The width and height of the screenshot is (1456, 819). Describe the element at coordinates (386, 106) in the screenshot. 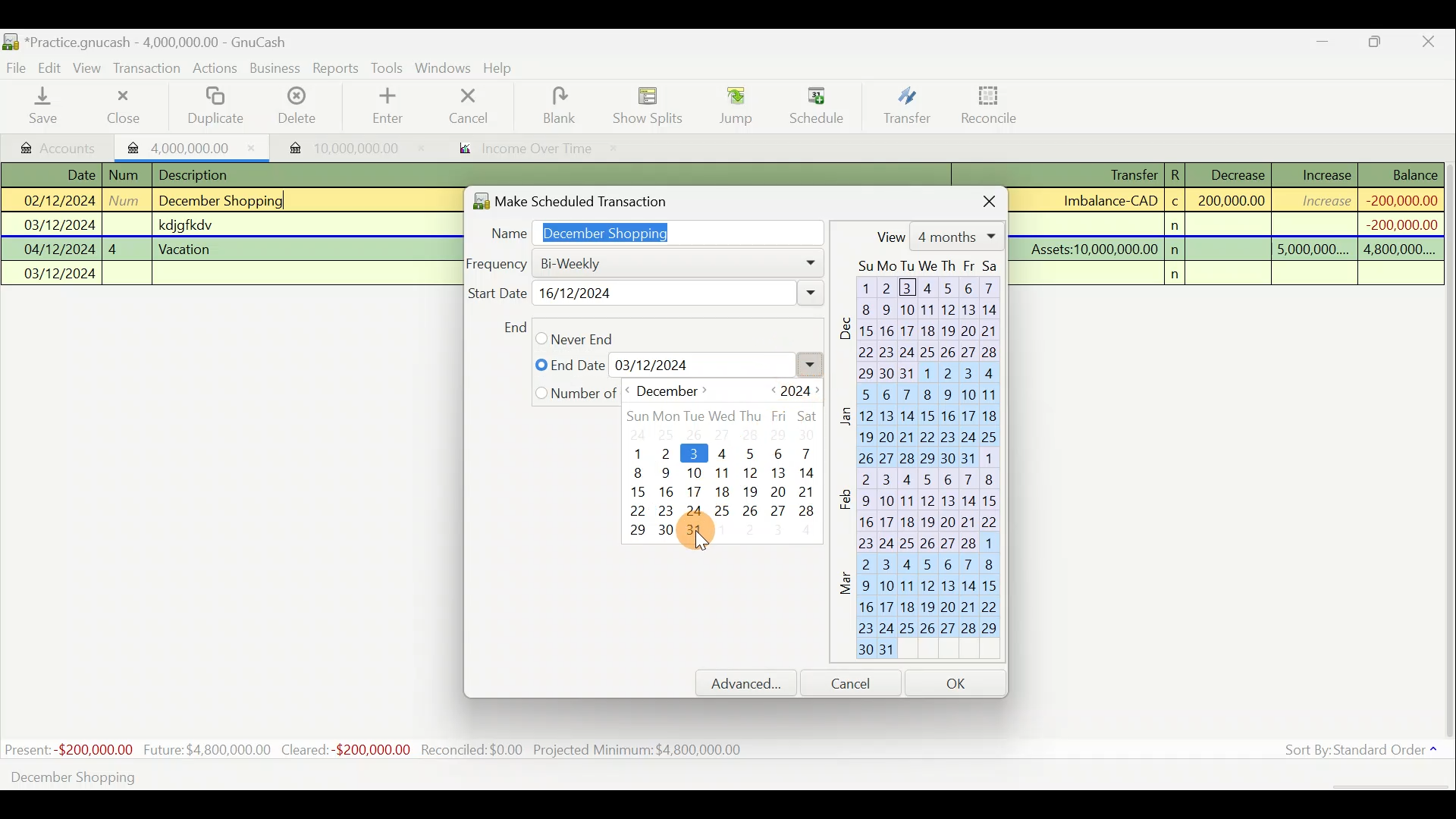

I see `Enter` at that location.